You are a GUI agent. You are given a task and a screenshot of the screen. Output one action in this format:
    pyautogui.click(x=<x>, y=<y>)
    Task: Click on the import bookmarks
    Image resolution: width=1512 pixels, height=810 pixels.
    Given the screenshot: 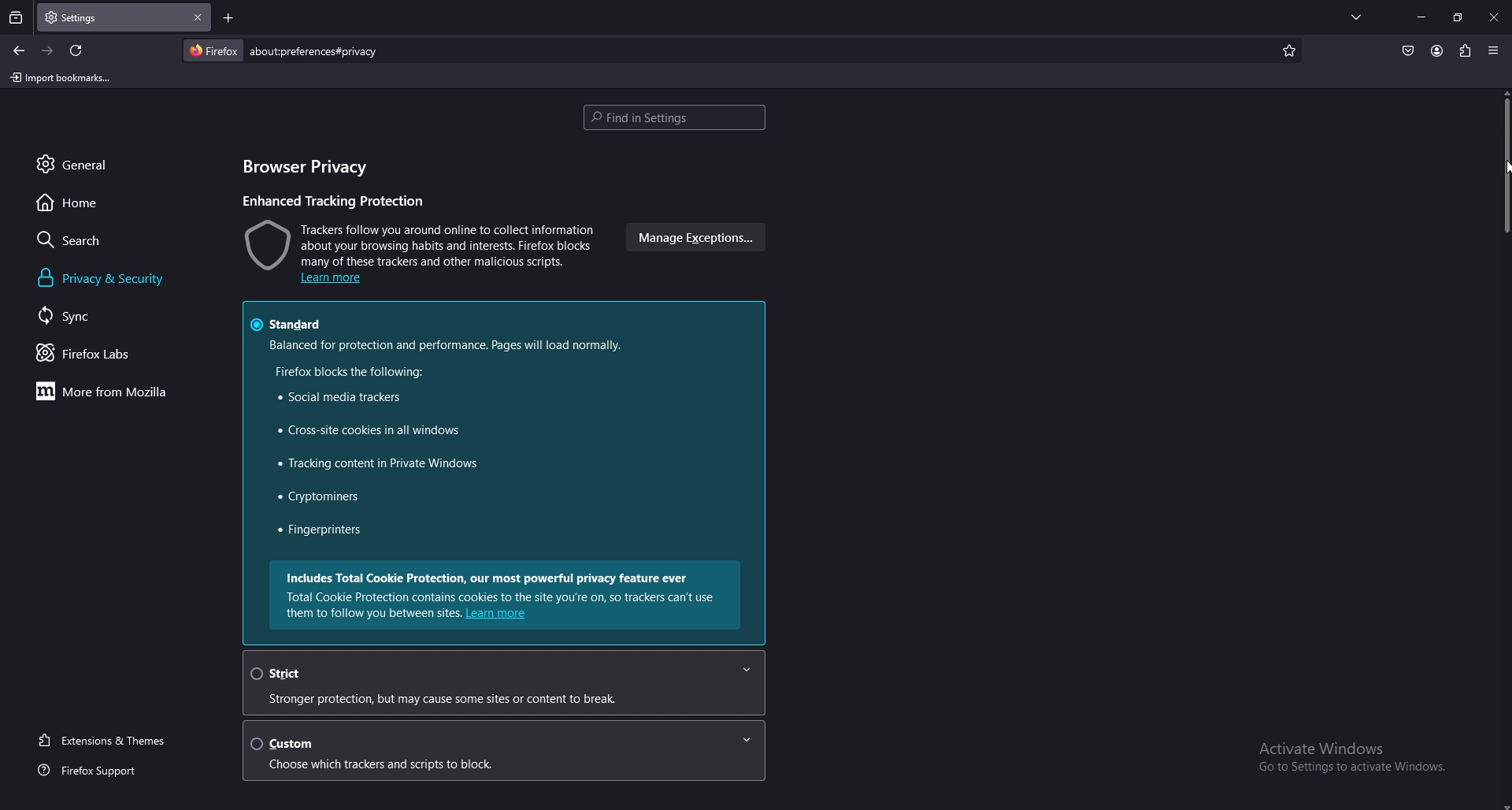 What is the action you would take?
    pyautogui.click(x=61, y=79)
    